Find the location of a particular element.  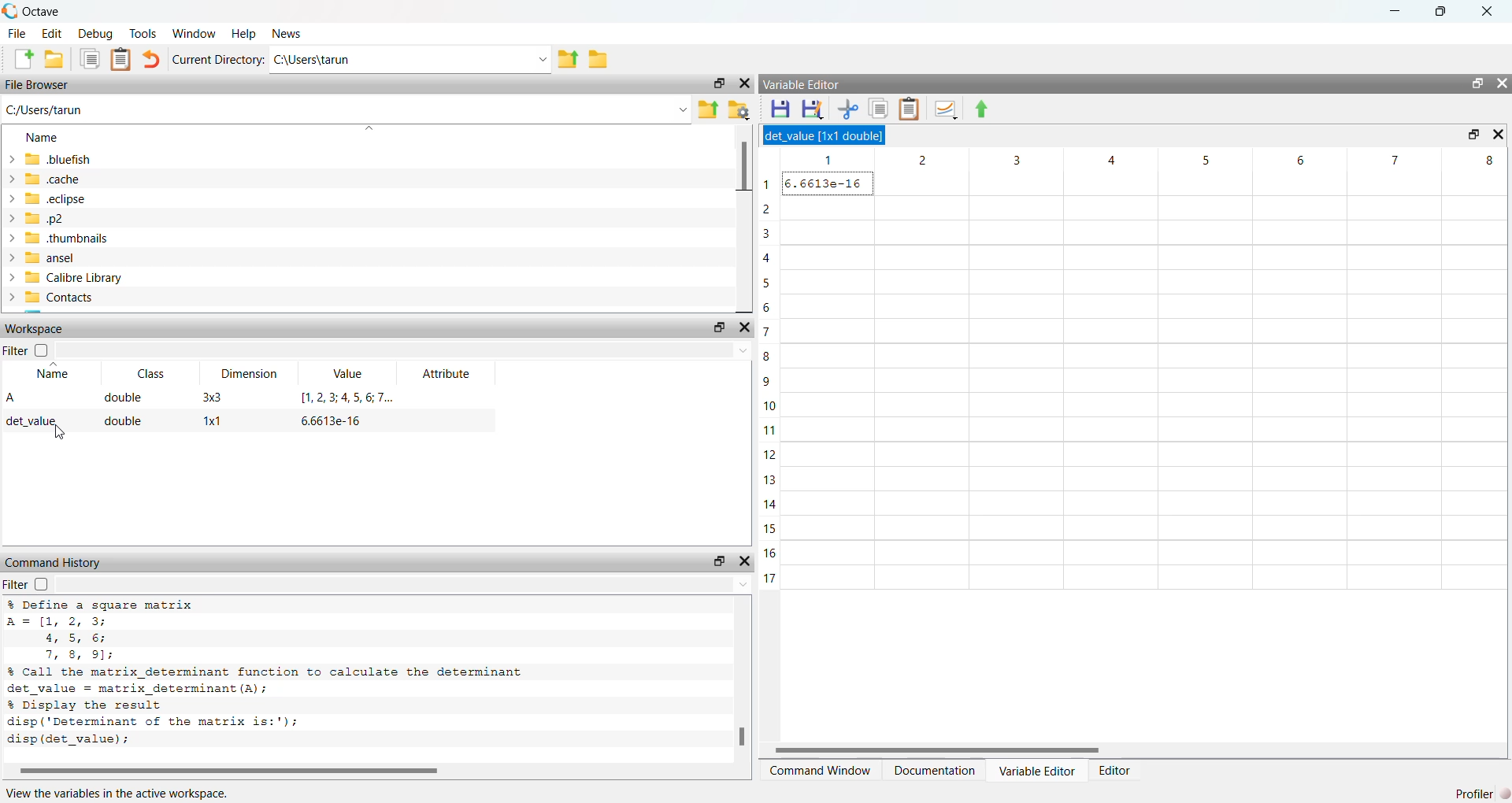

up is located at coordinates (981, 111).